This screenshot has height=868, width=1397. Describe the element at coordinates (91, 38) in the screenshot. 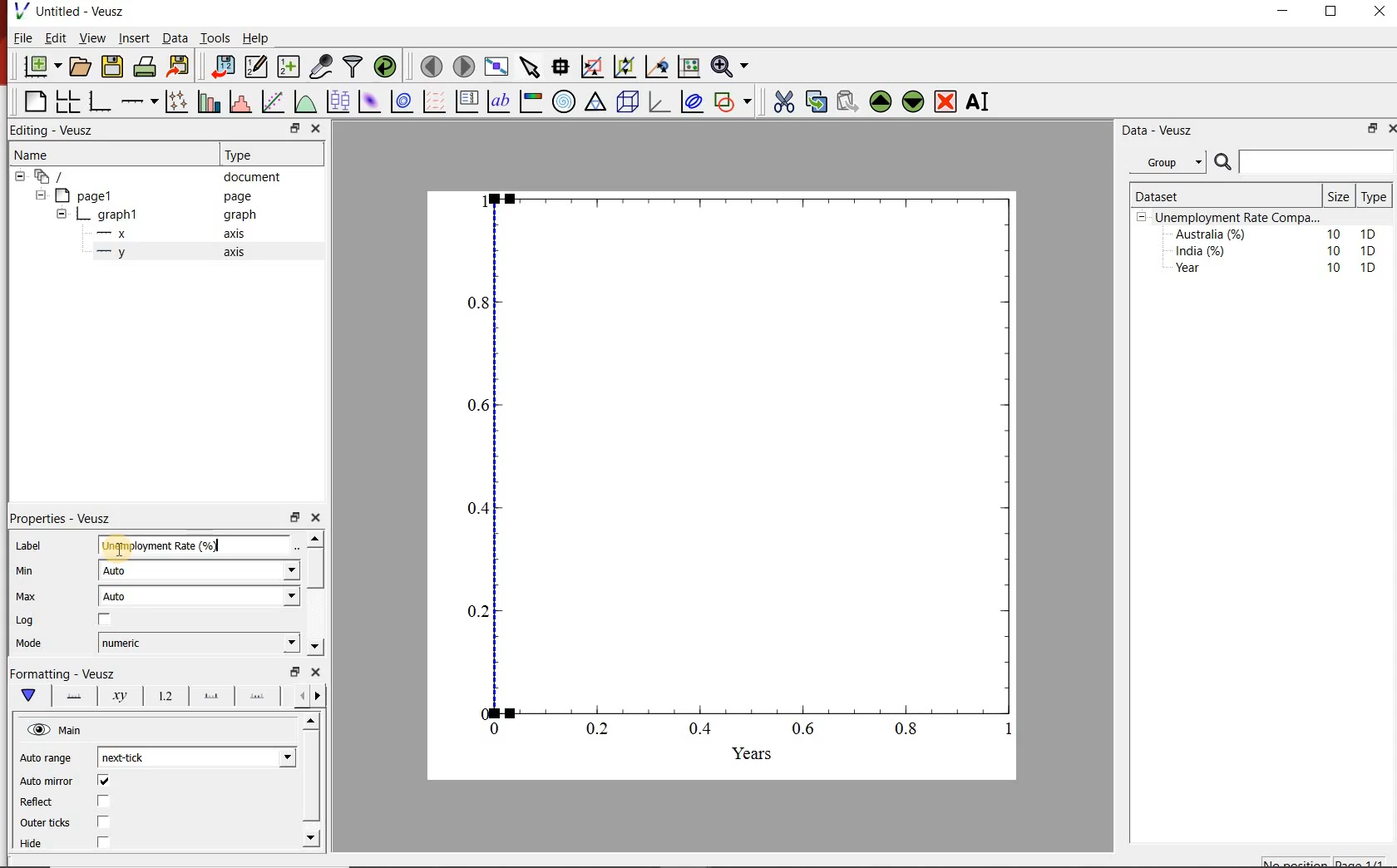

I see `View` at that location.